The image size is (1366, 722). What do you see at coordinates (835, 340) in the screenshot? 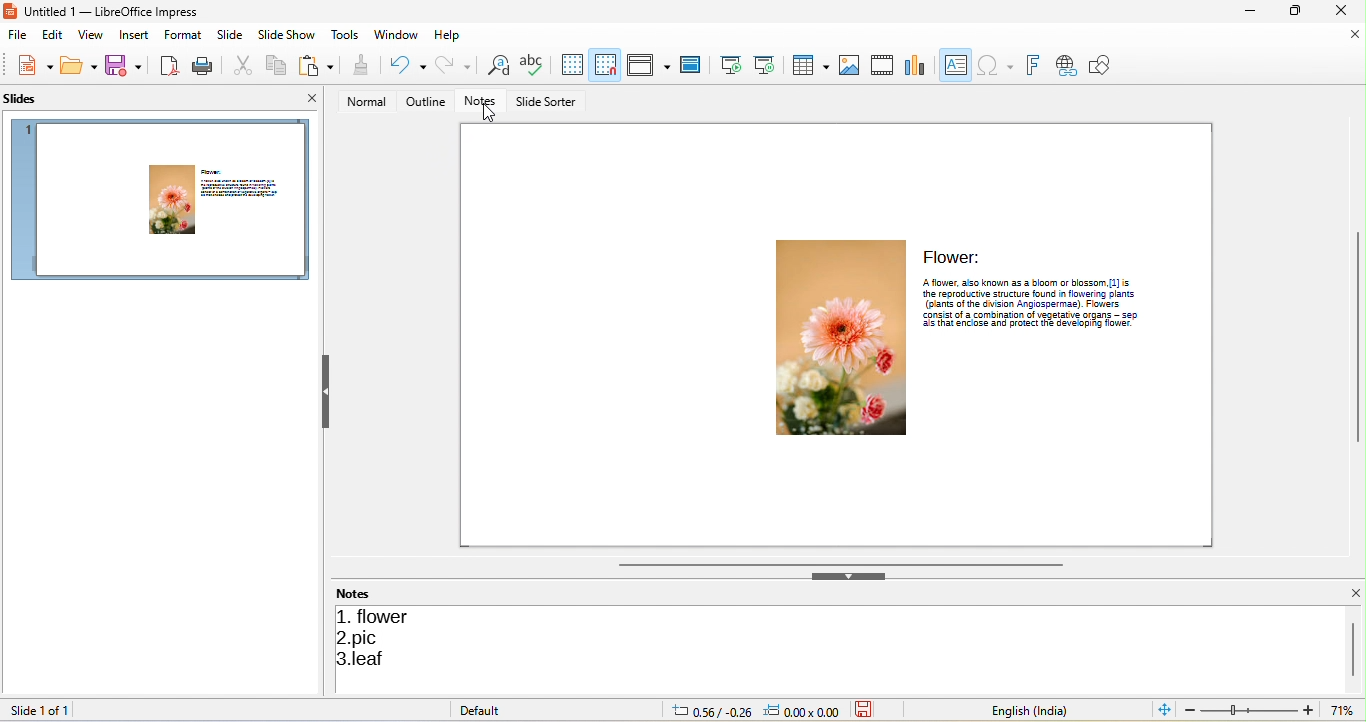
I see `image of flower` at bounding box center [835, 340].